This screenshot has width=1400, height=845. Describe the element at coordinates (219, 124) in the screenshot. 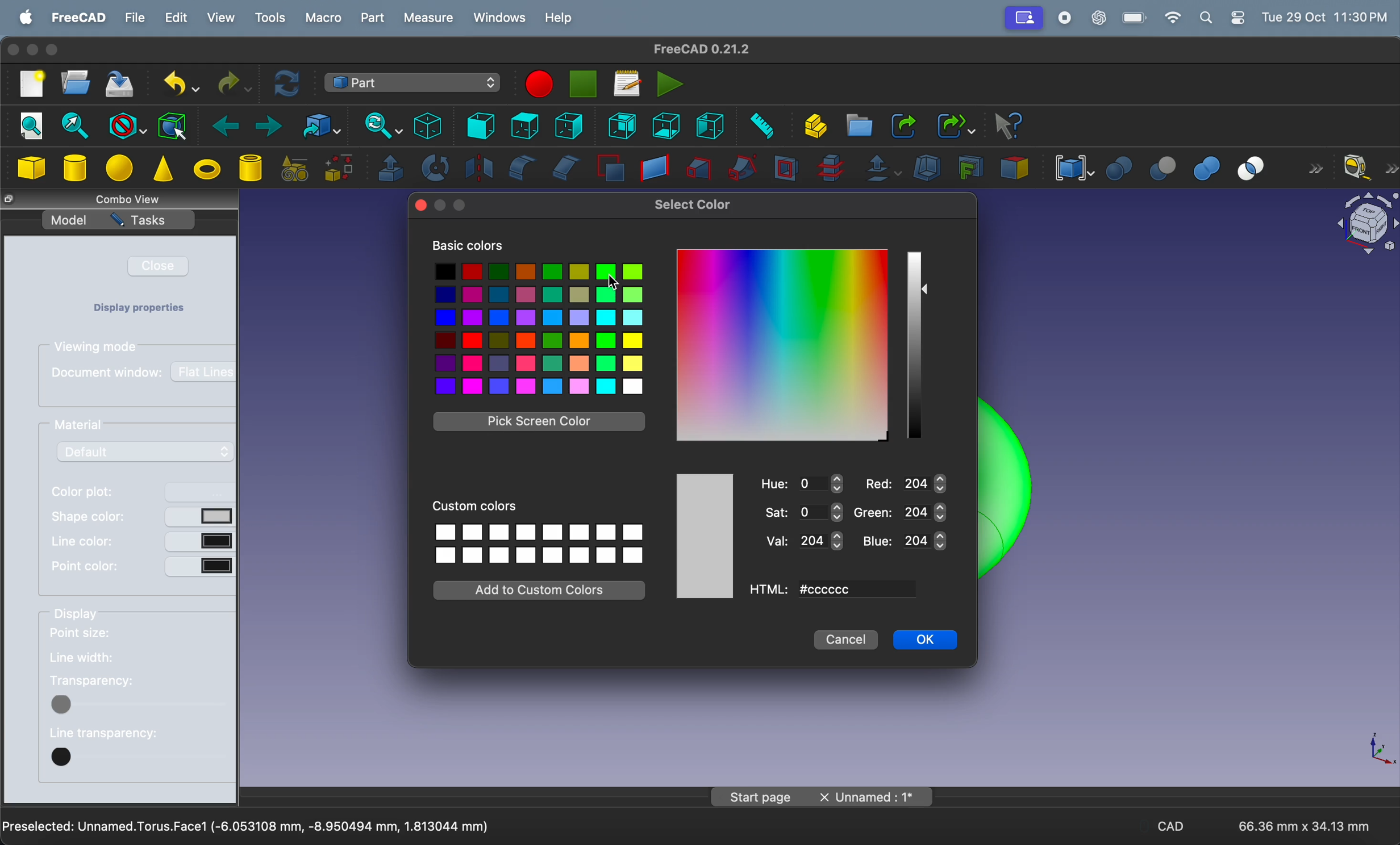

I see `backward` at that location.